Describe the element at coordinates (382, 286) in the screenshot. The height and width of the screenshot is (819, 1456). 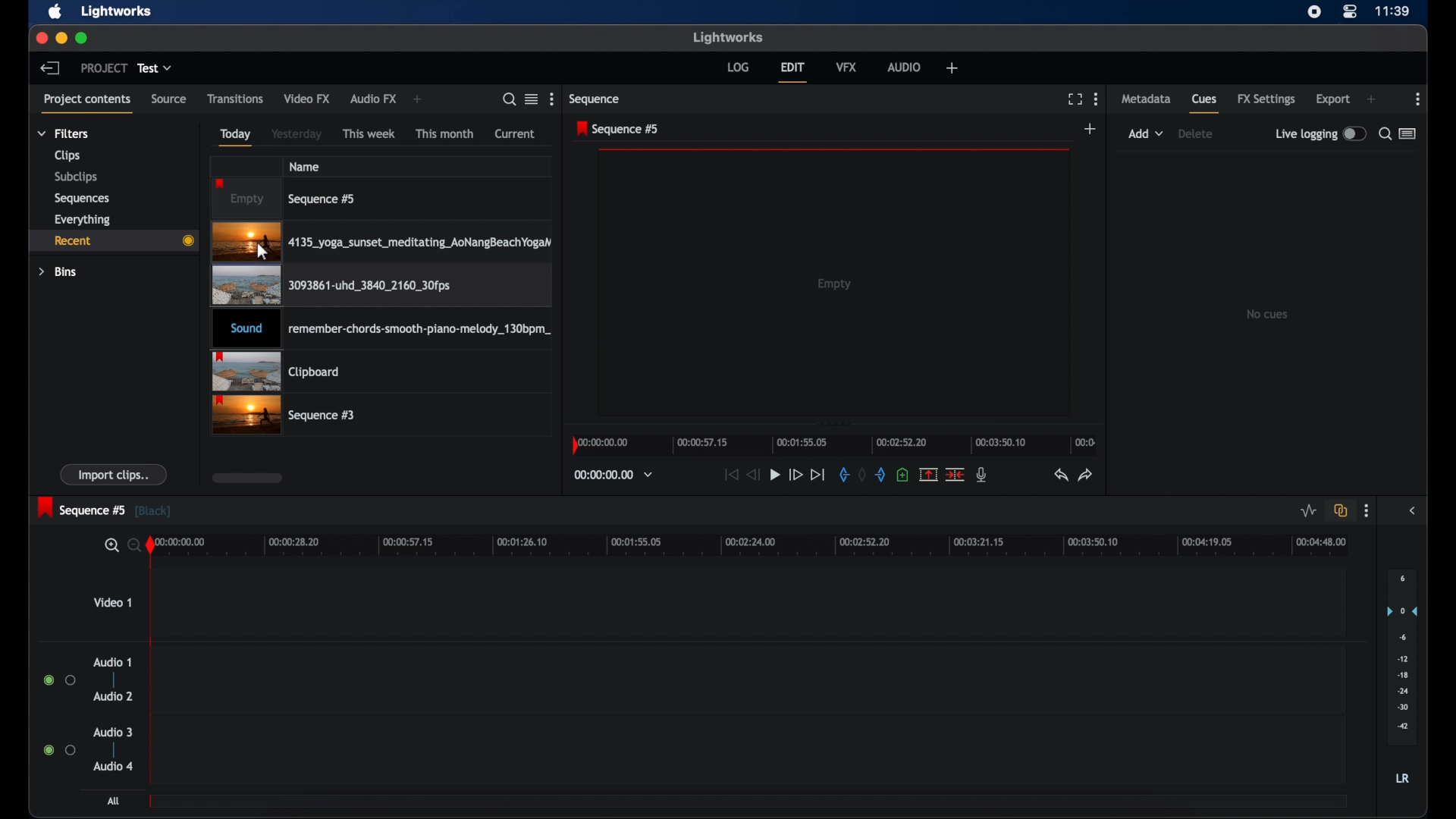
I see `videoclip` at that location.